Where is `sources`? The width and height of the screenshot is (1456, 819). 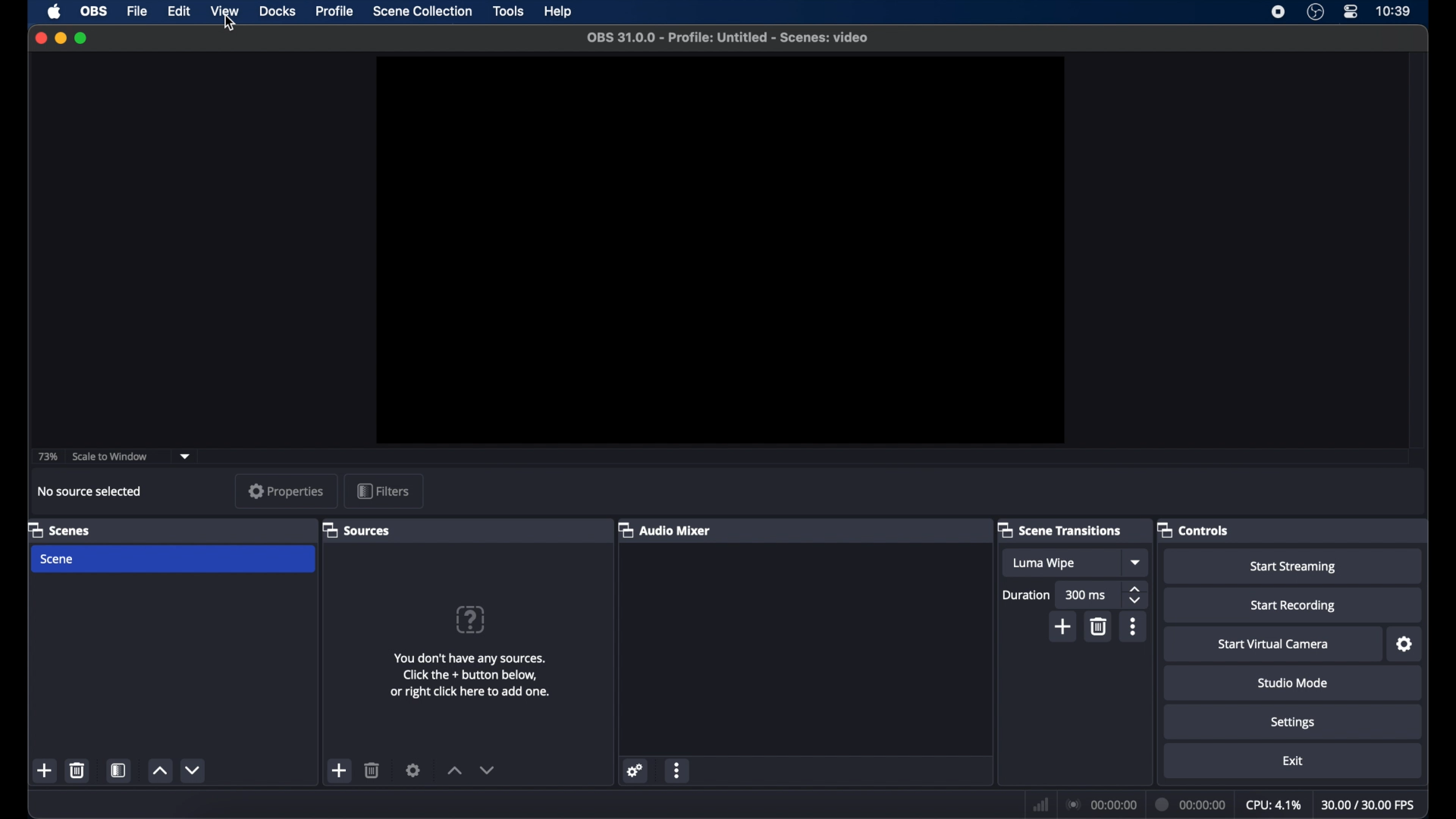 sources is located at coordinates (356, 529).